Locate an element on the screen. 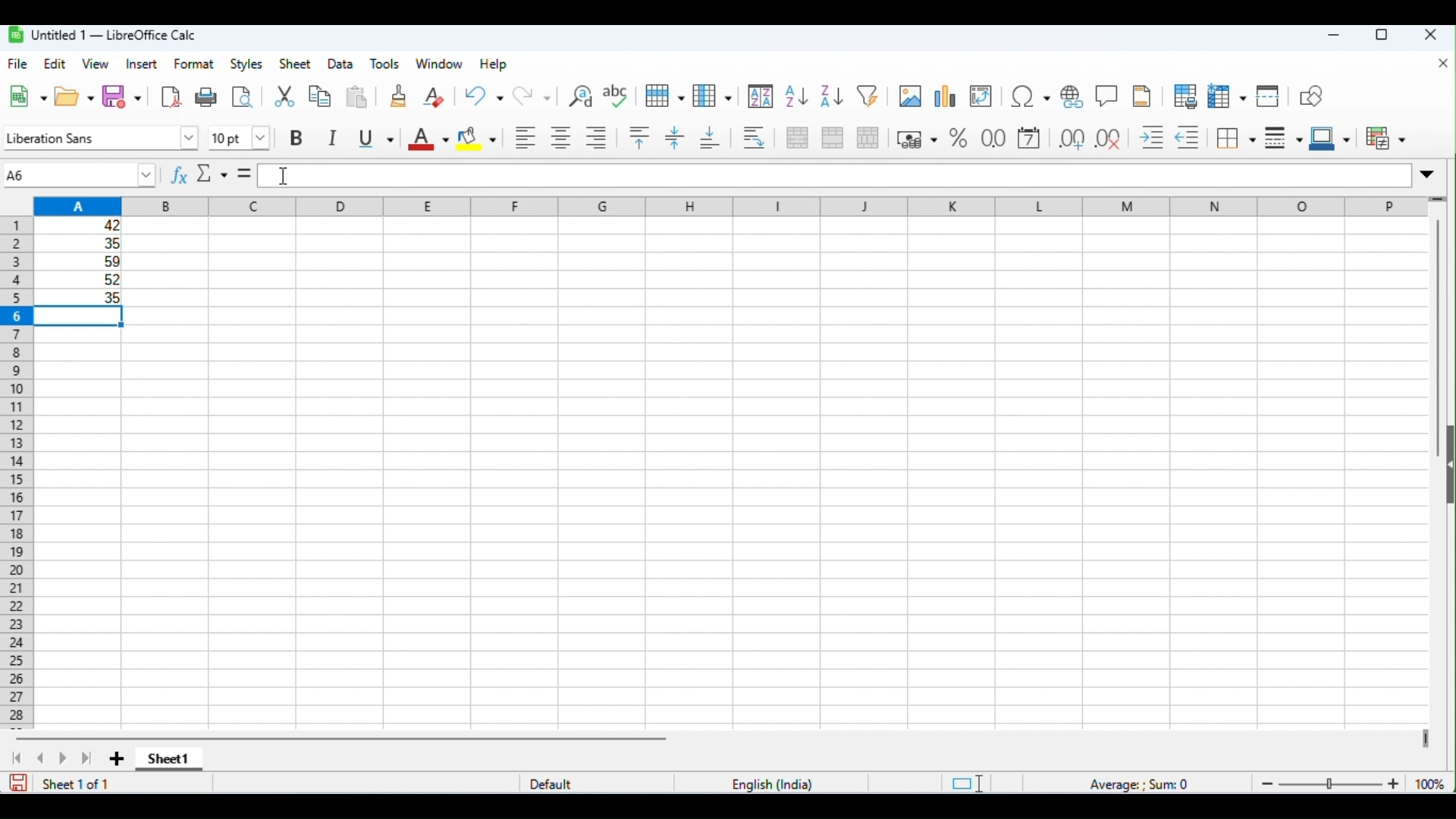 The height and width of the screenshot is (819, 1456). decrease indent is located at coordinates (1188, 137).